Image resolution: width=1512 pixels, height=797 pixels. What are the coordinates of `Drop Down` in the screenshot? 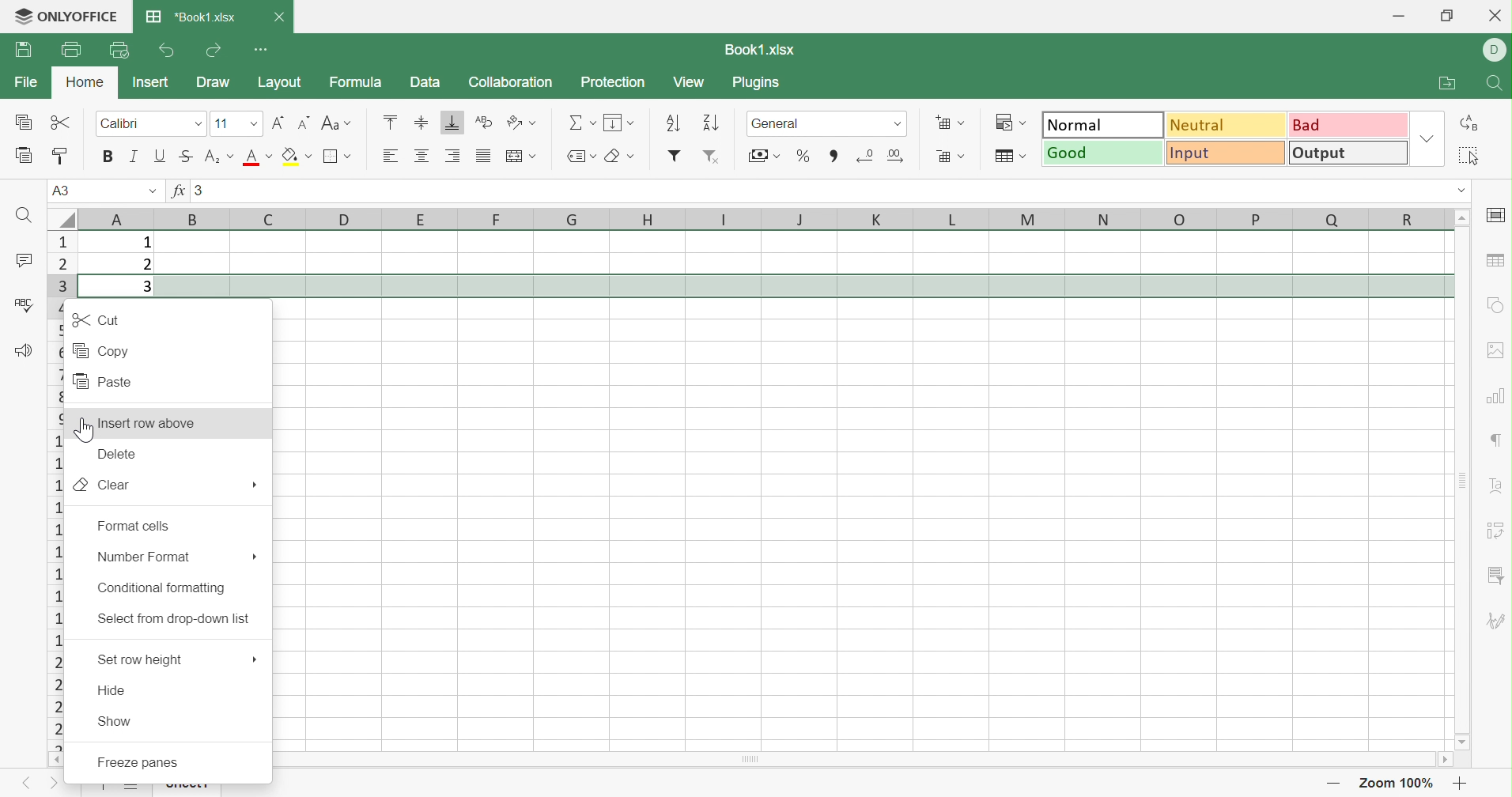 It's located at (350, 156).